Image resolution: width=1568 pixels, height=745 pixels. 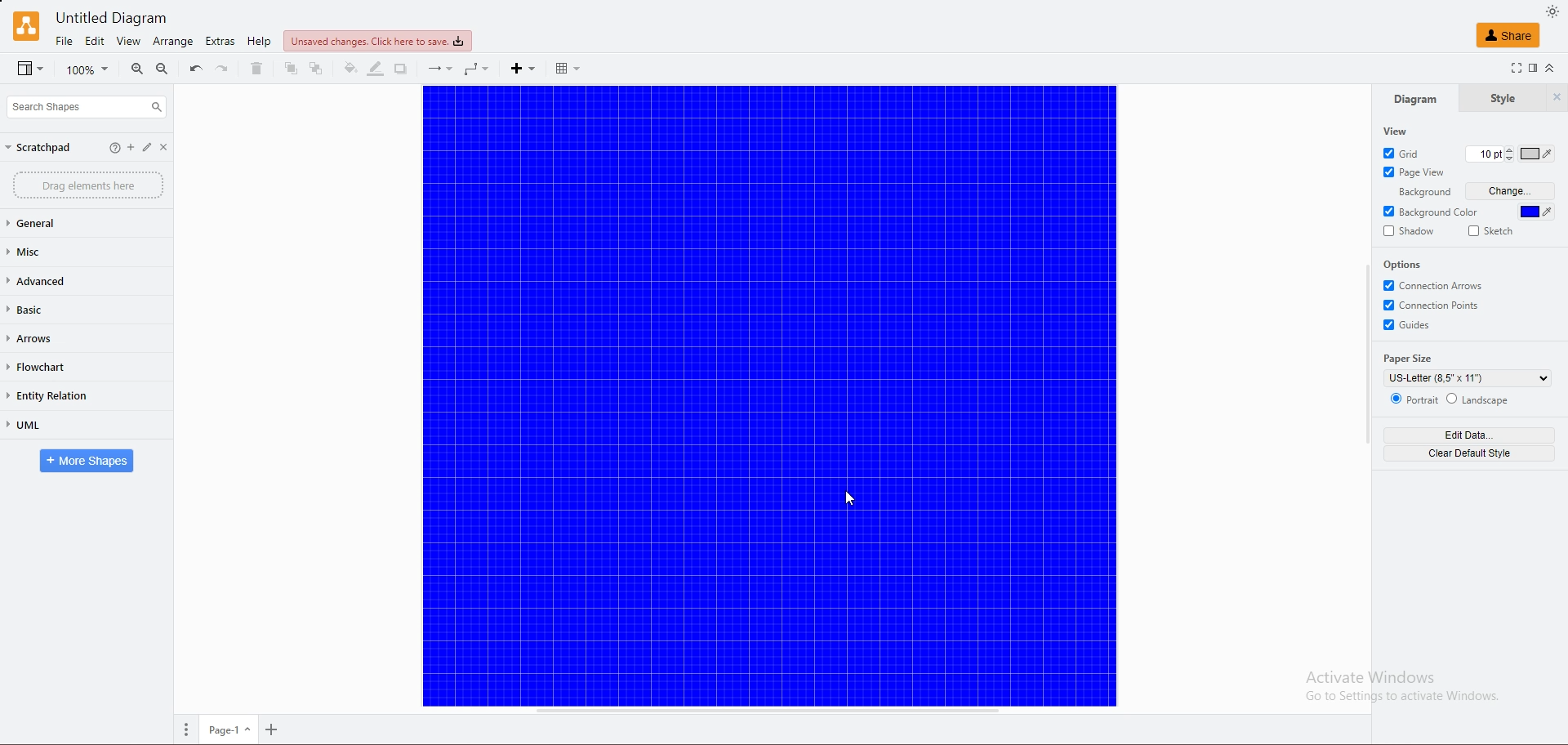 What do you see at coordinates (853, 497) in the screenshot?
I see `cursor` at bounding box center [853, 497].